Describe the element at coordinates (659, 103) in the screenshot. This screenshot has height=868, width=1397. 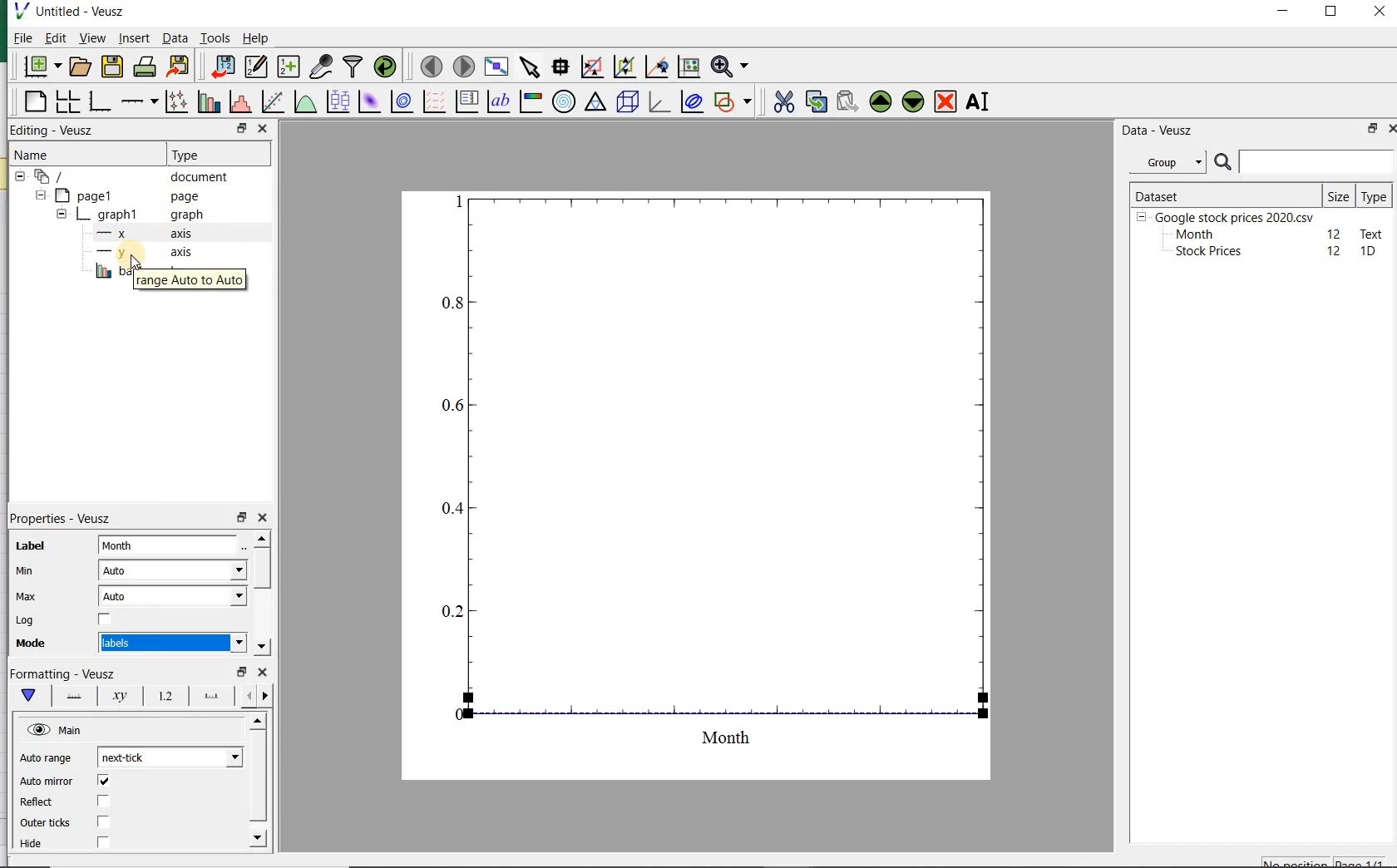
I see `3d graph` at that location.